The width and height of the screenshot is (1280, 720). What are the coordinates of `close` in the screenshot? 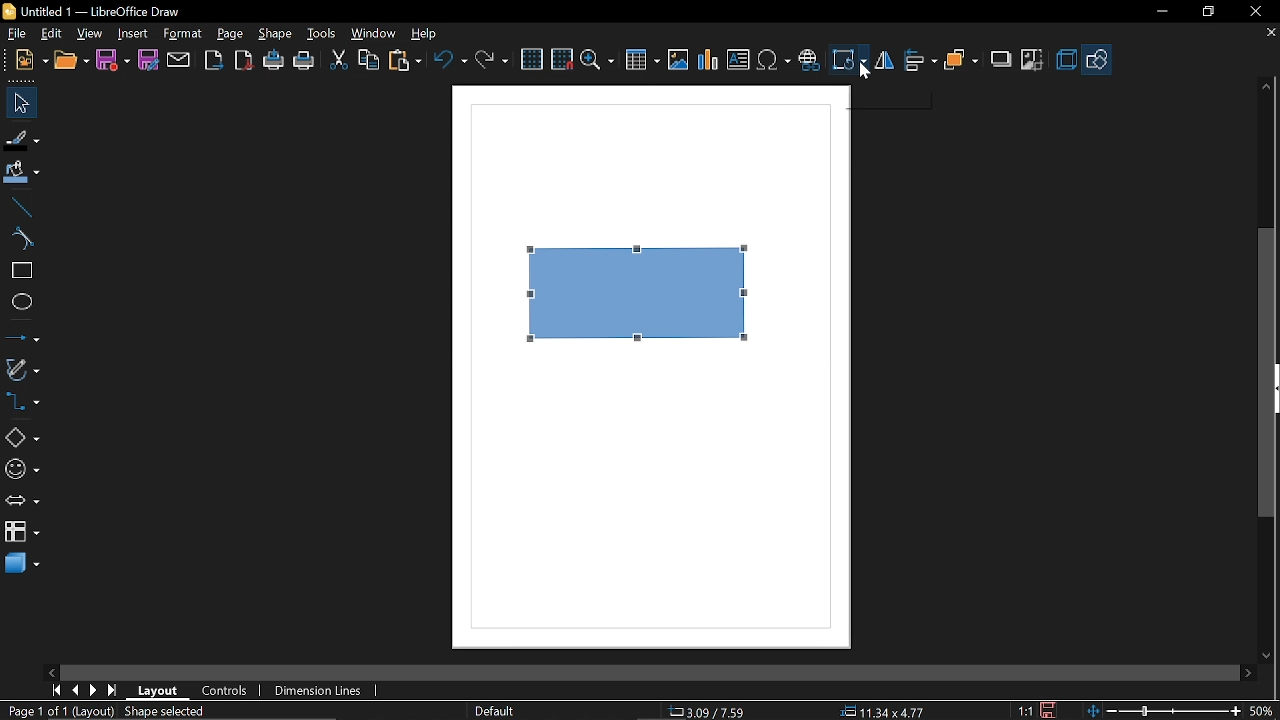 It's located at (1254, 11).